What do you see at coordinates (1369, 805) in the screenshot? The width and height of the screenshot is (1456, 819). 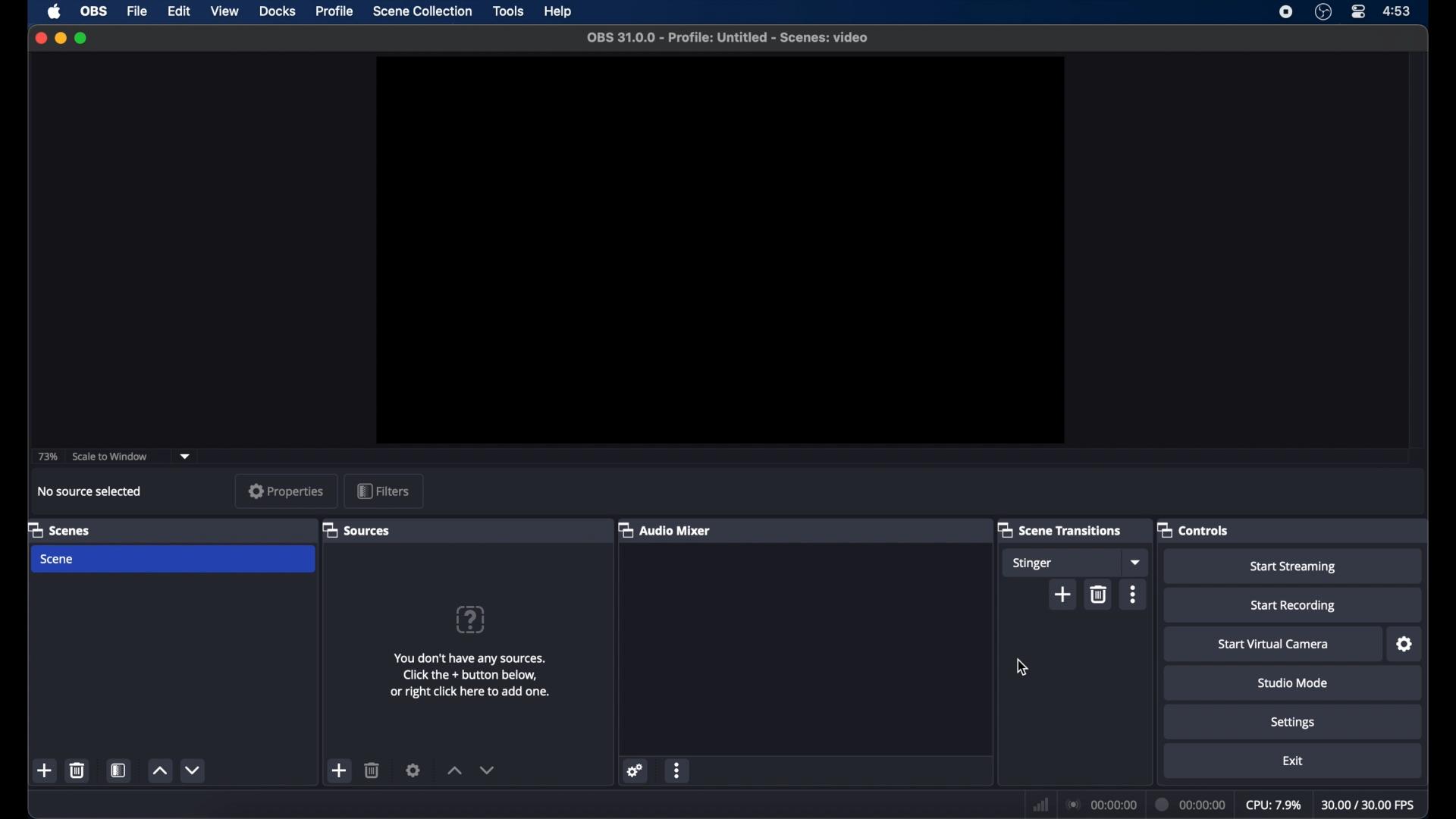 I see `fps` at bounding box center [1369, 805].